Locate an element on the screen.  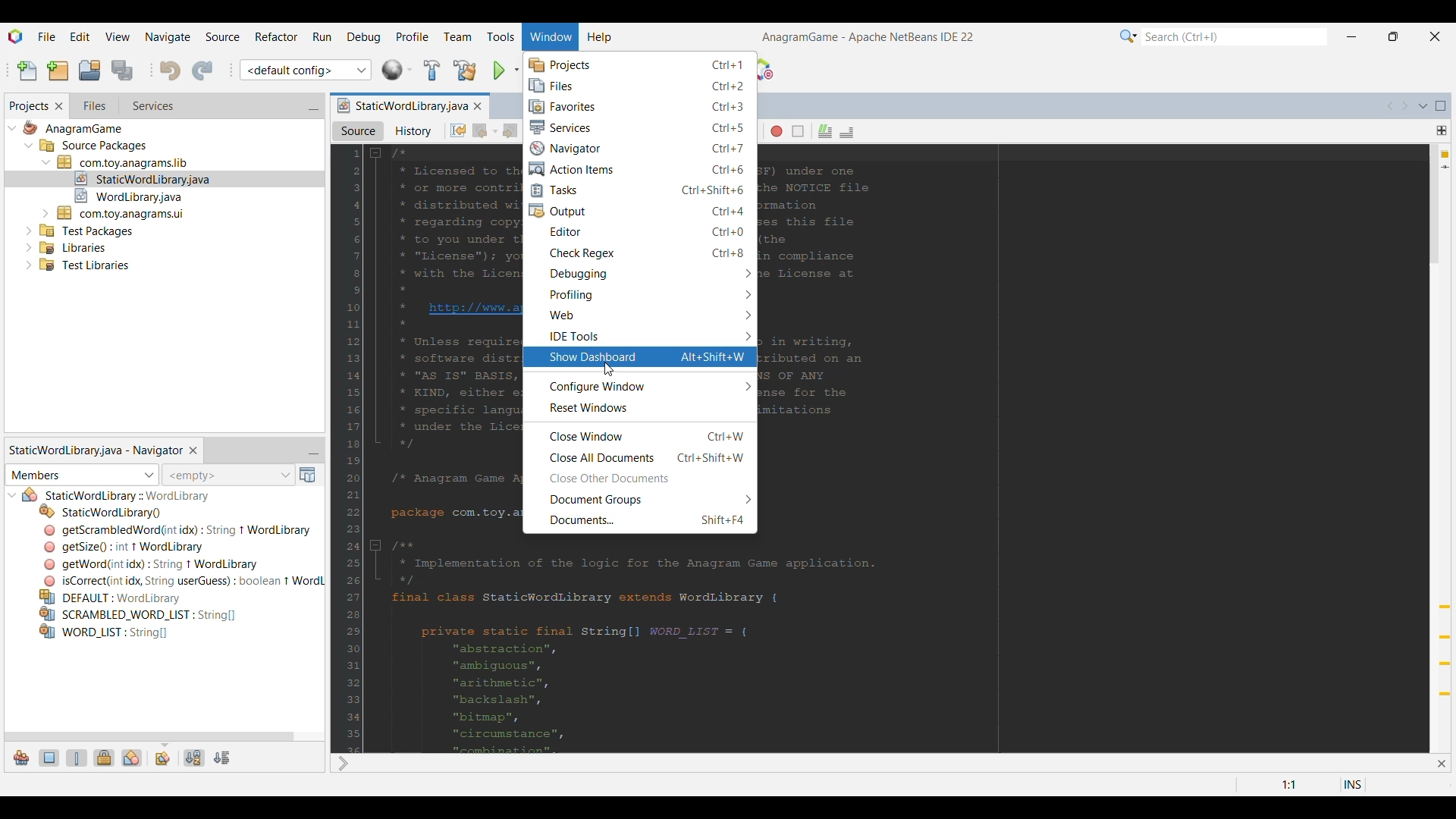
cursor is located at coordinates (608, 368).